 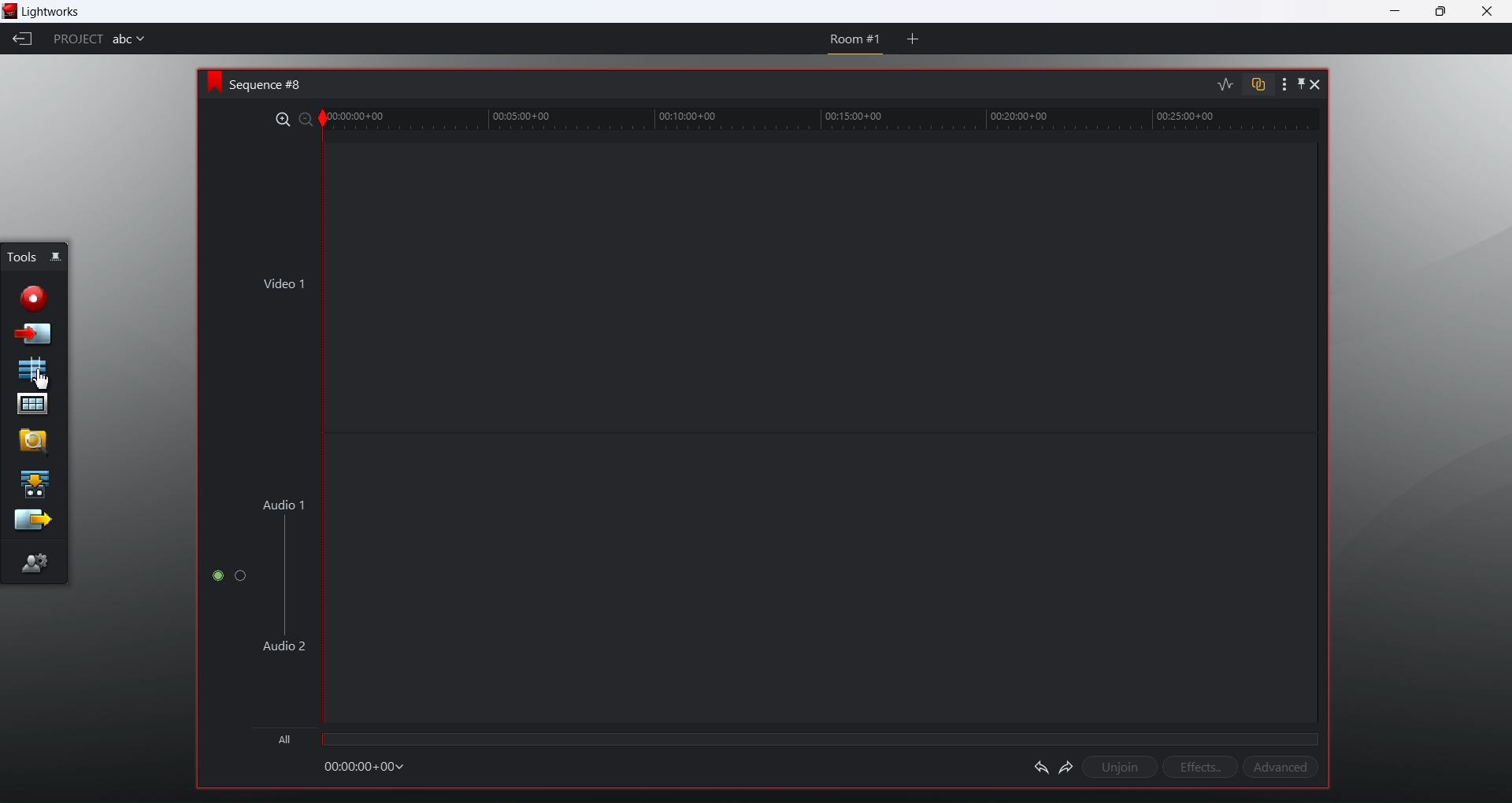 I want to click on trim, so click(x=322, y=119).